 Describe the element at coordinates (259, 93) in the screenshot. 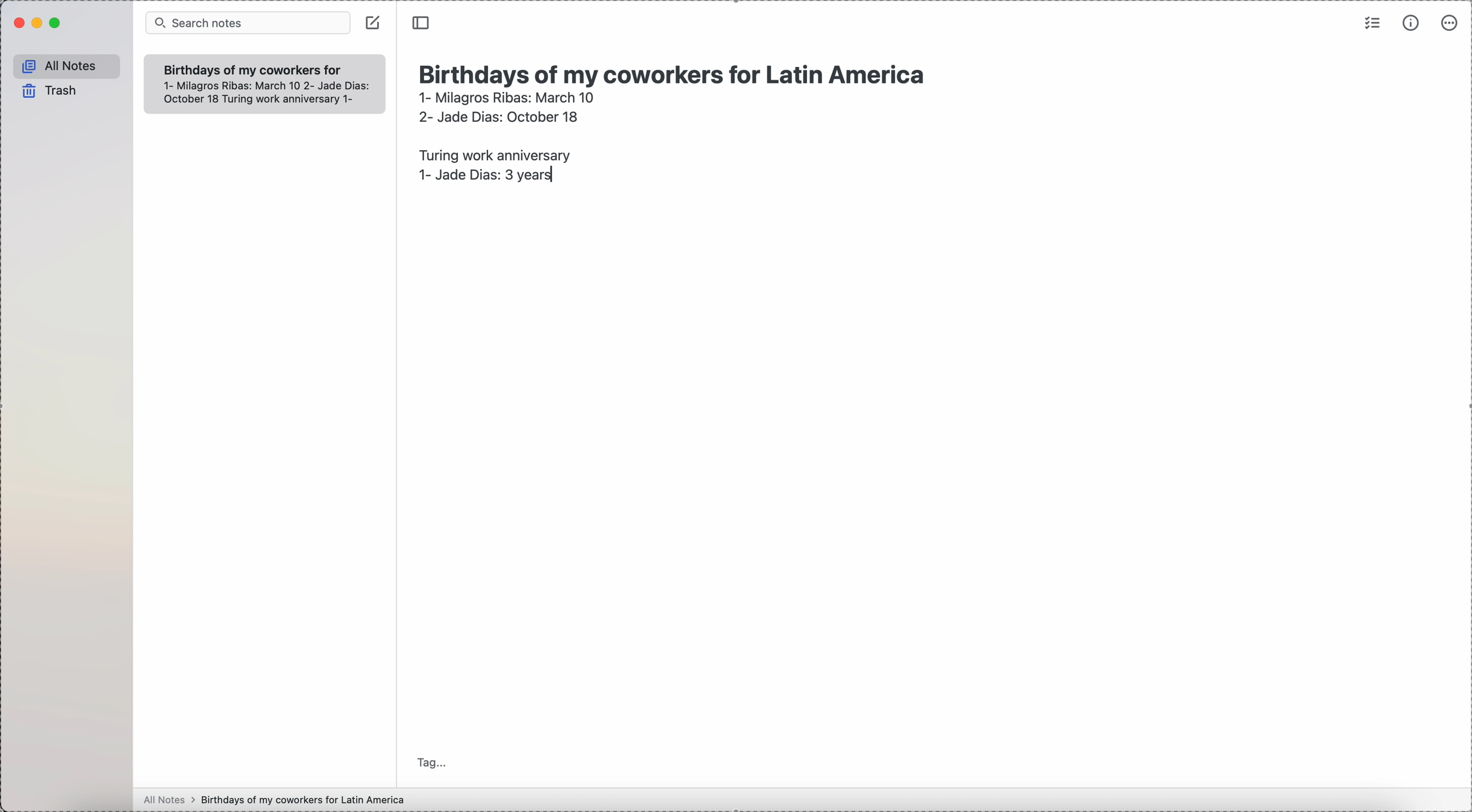

I see `1- Milagros Ribas: March 10 2- Jade Dias: October 18 Turing work anniversary 1-` at that location.